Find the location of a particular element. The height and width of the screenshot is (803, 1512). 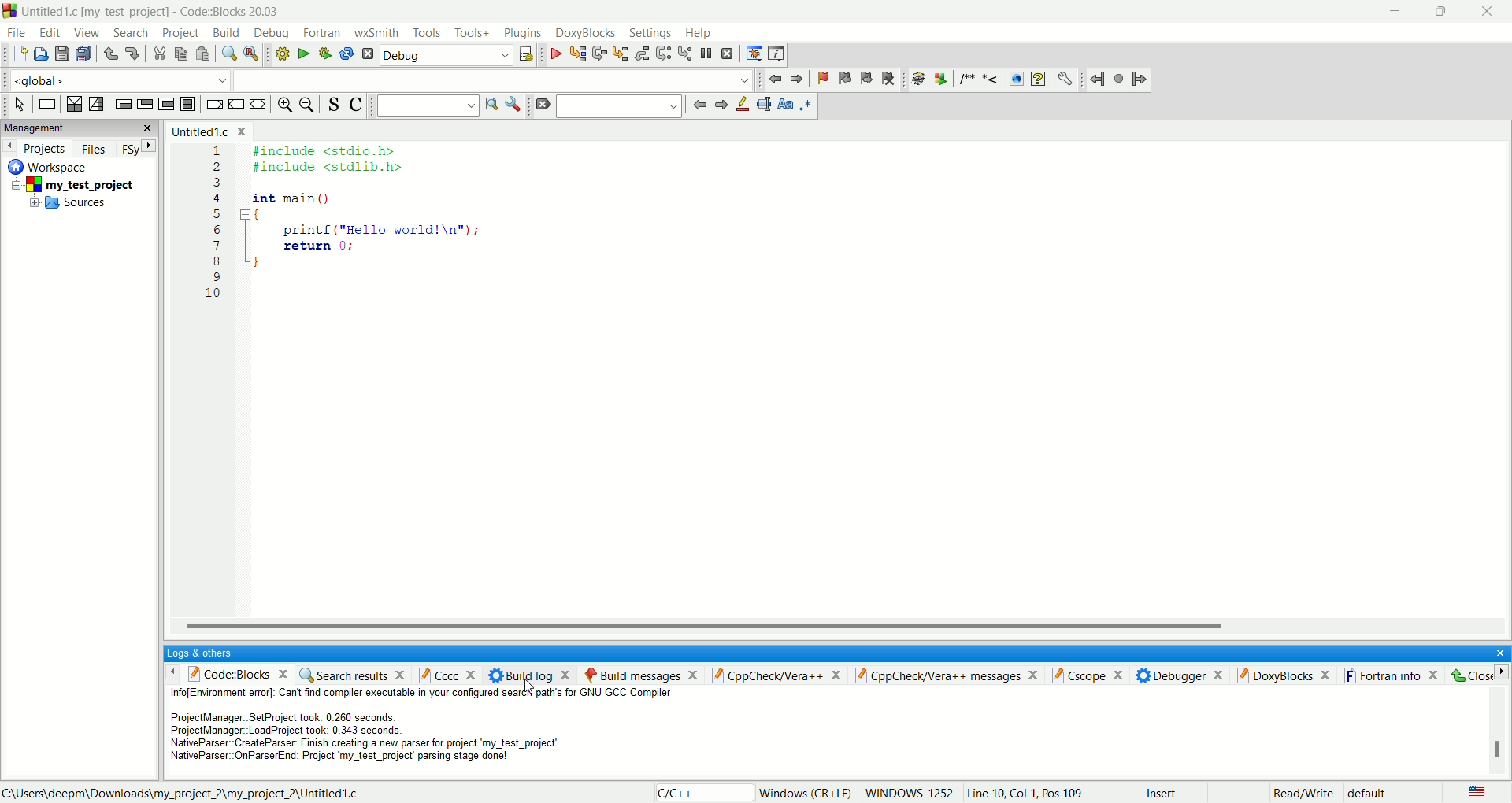

logs and others is located at coordinates (209, 653).